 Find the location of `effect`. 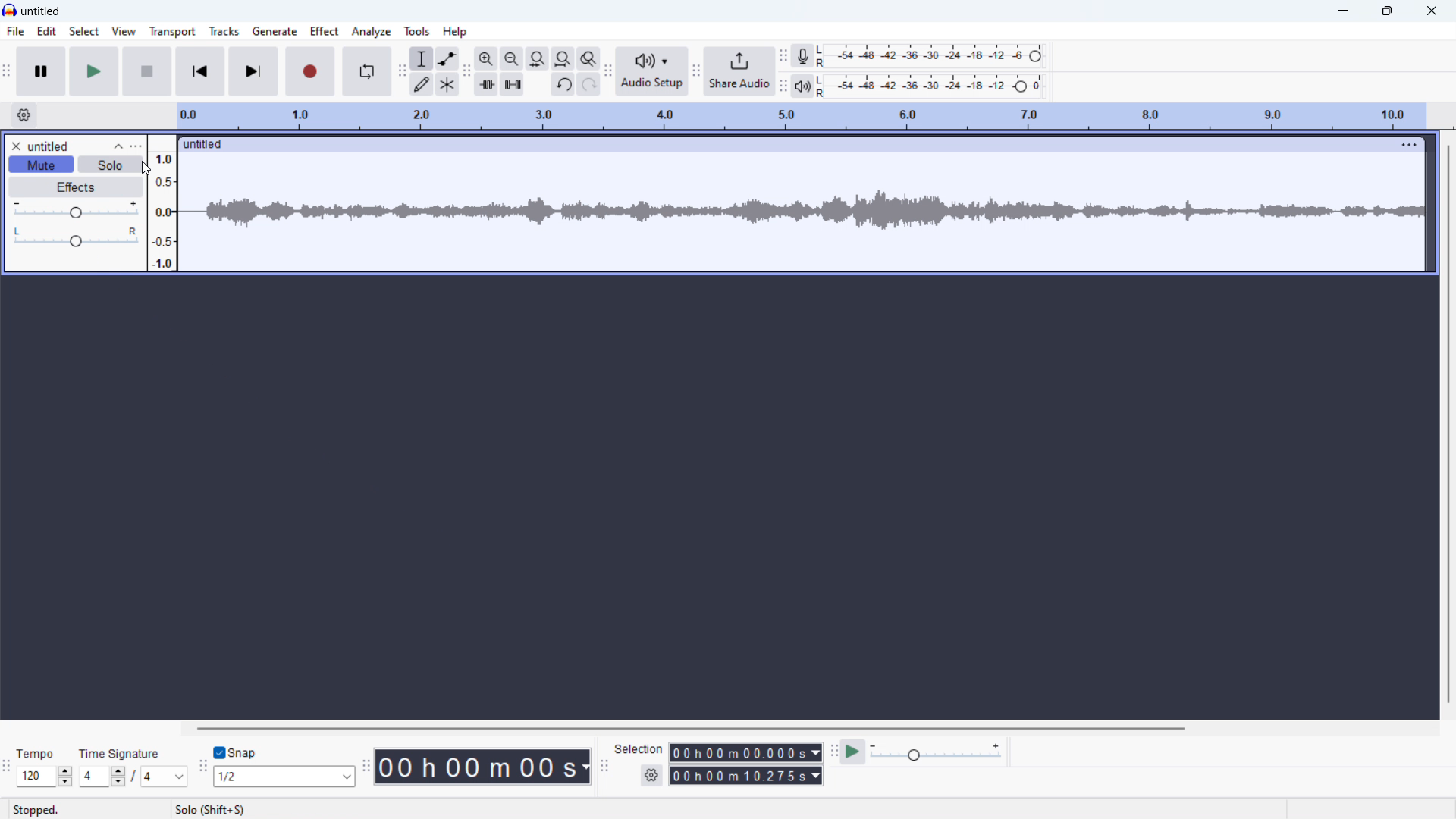

effect is located at coordinates (325, 31).